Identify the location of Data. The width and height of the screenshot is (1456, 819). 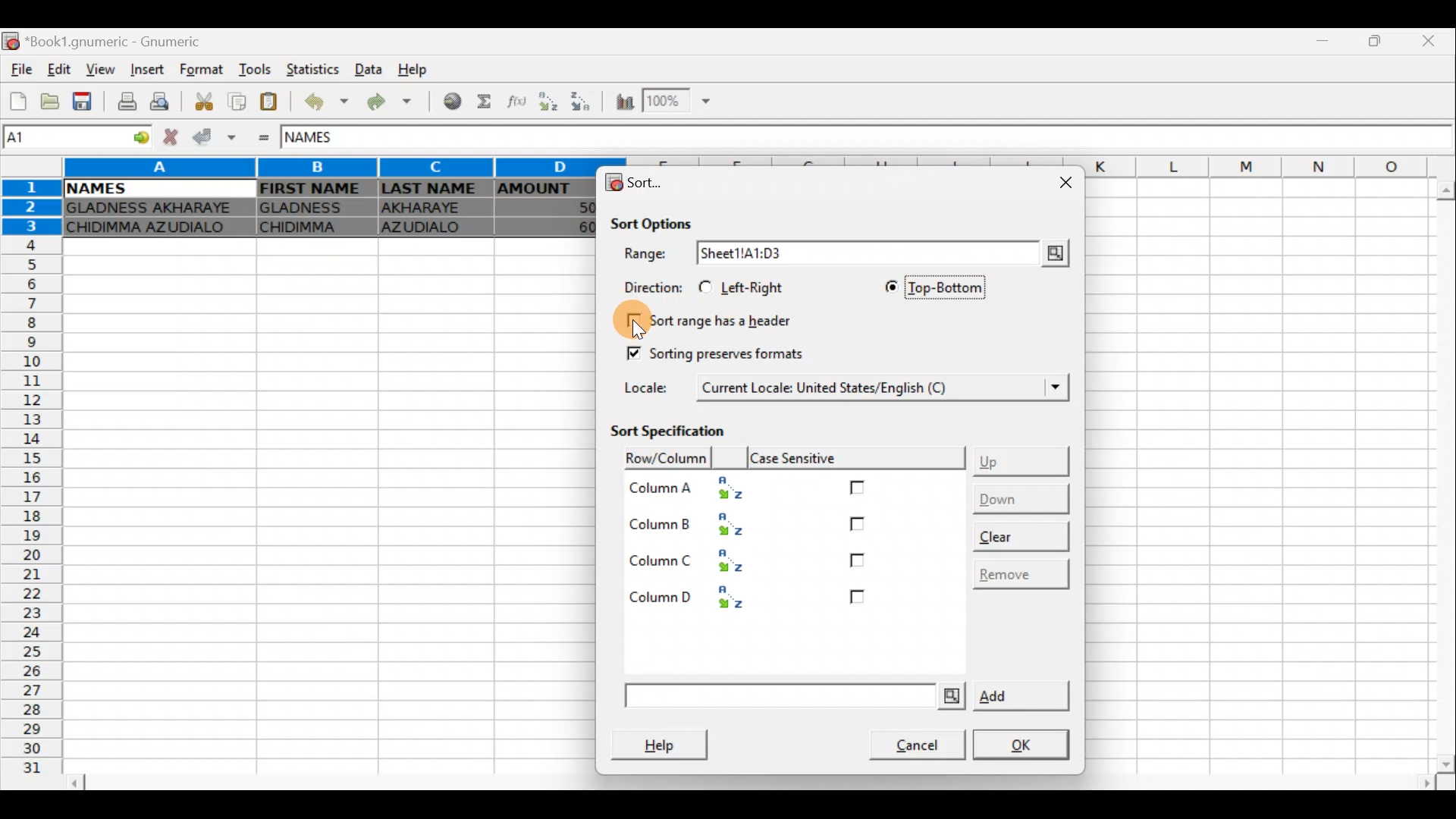
(367, 67).